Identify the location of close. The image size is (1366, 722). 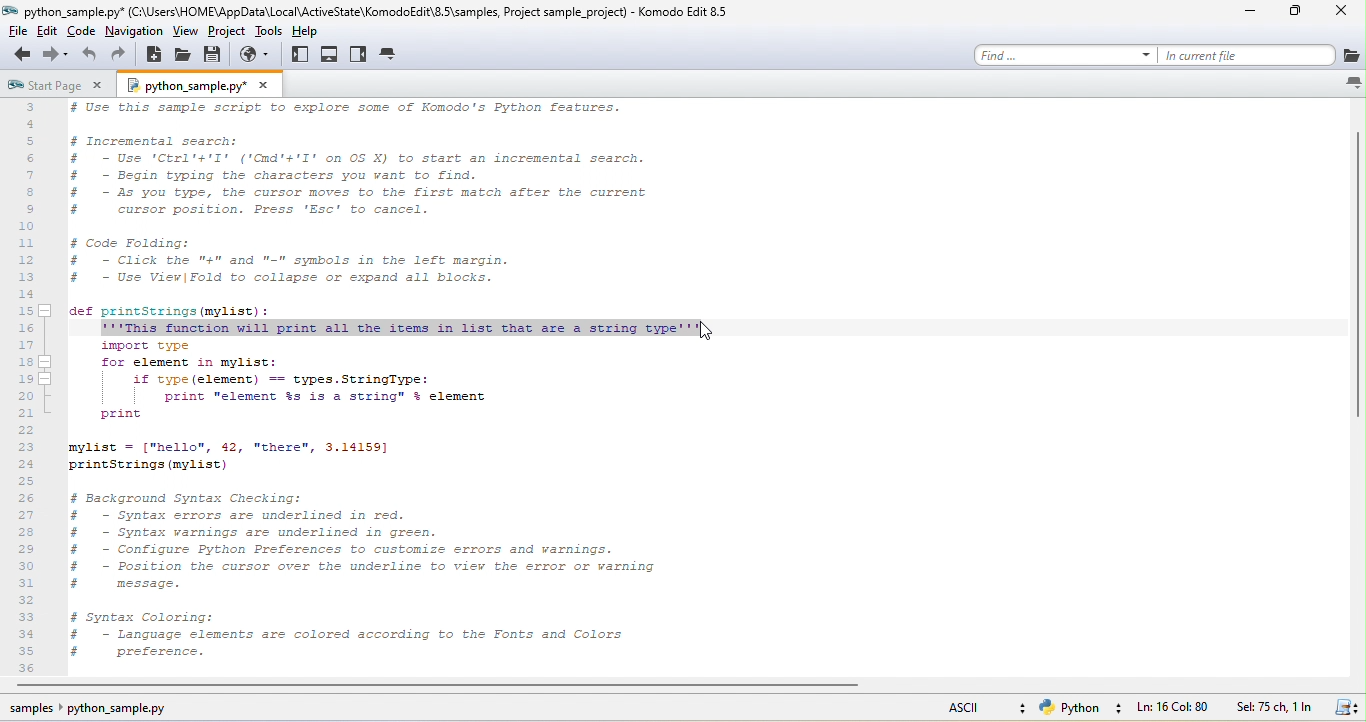
(1343, 14).